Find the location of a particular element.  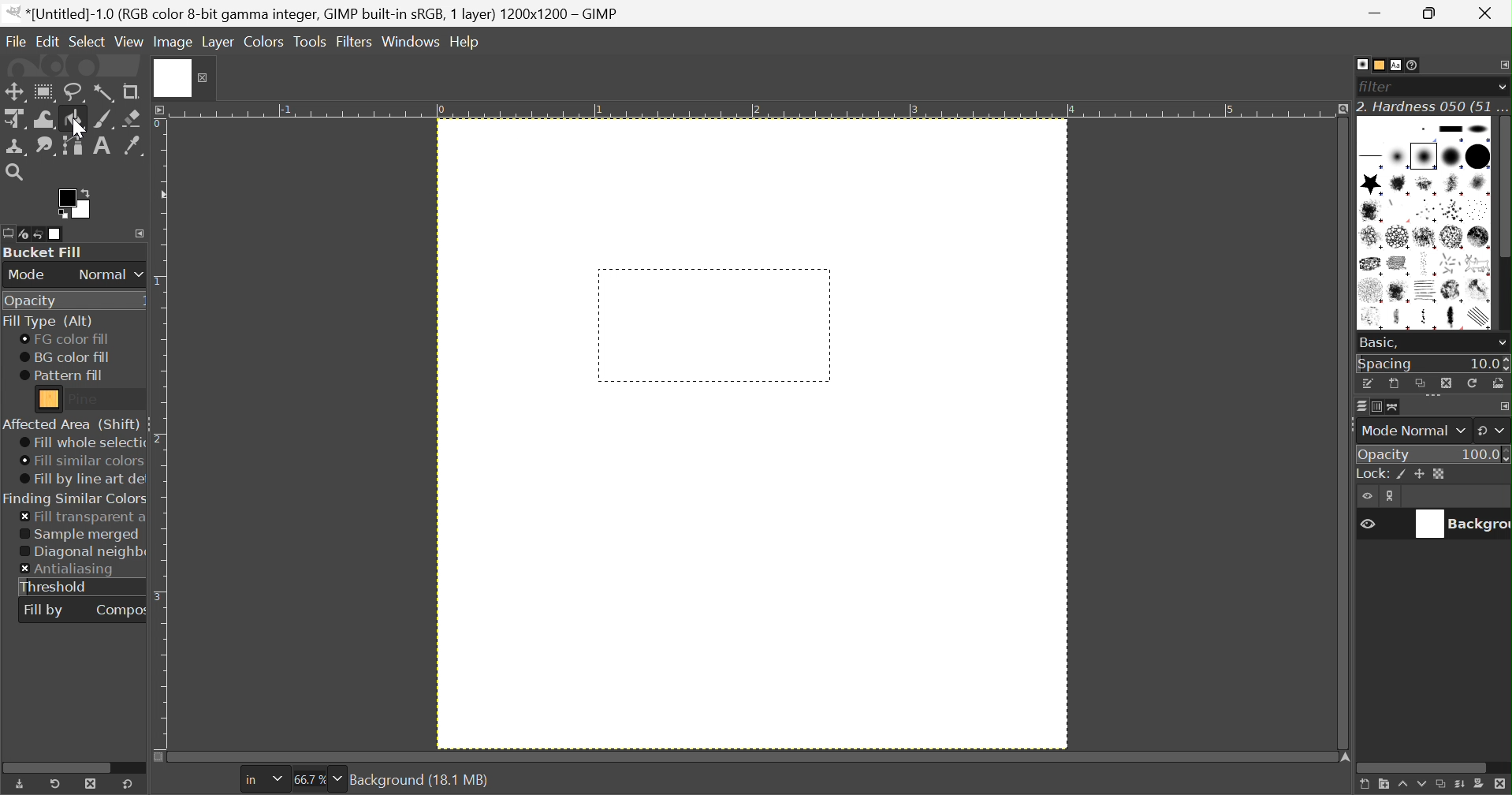

Fill by line art detection is located at coordinates (84, 480).